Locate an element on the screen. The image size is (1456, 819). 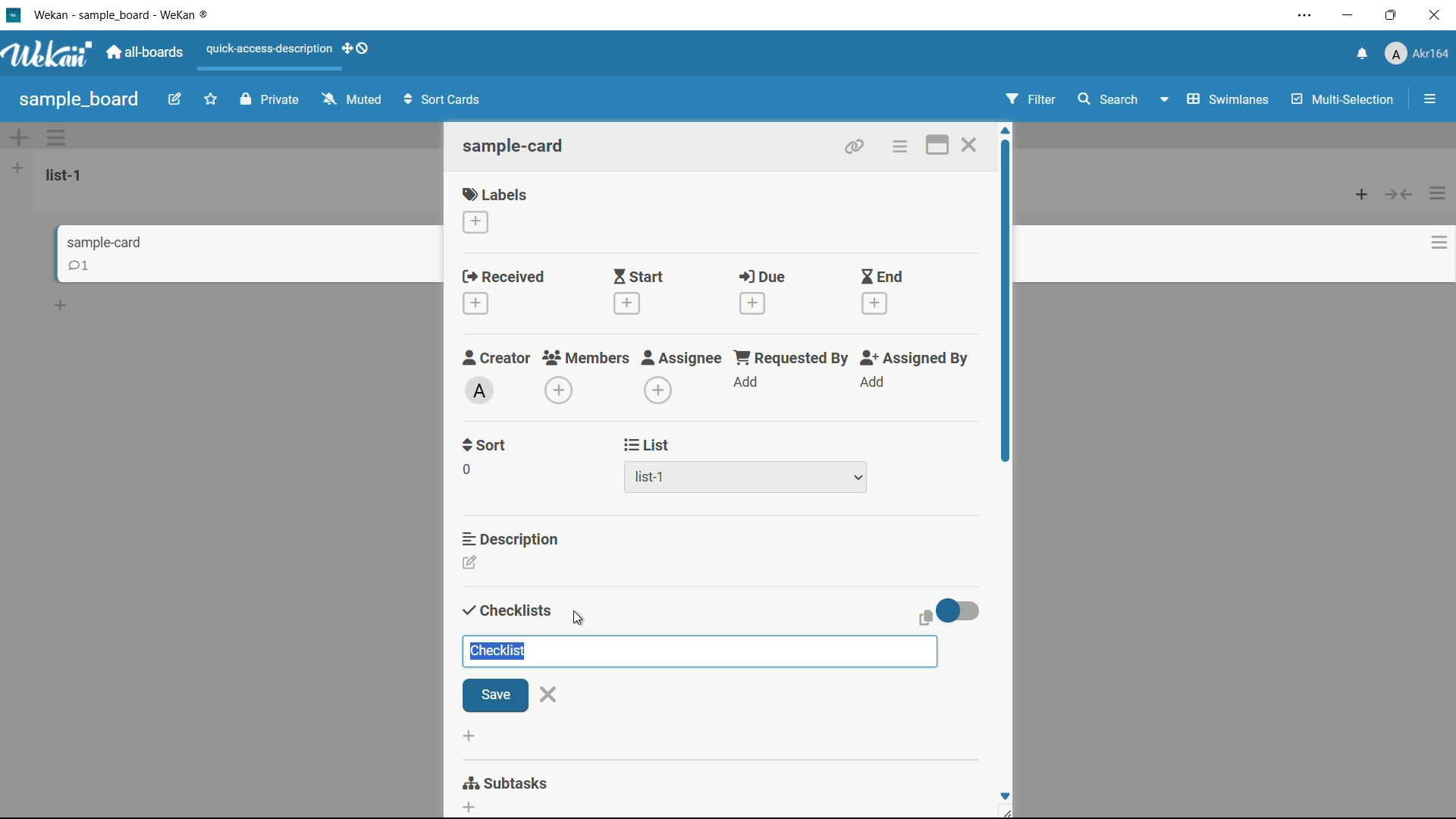
options is located at coordinates (1441, 190).